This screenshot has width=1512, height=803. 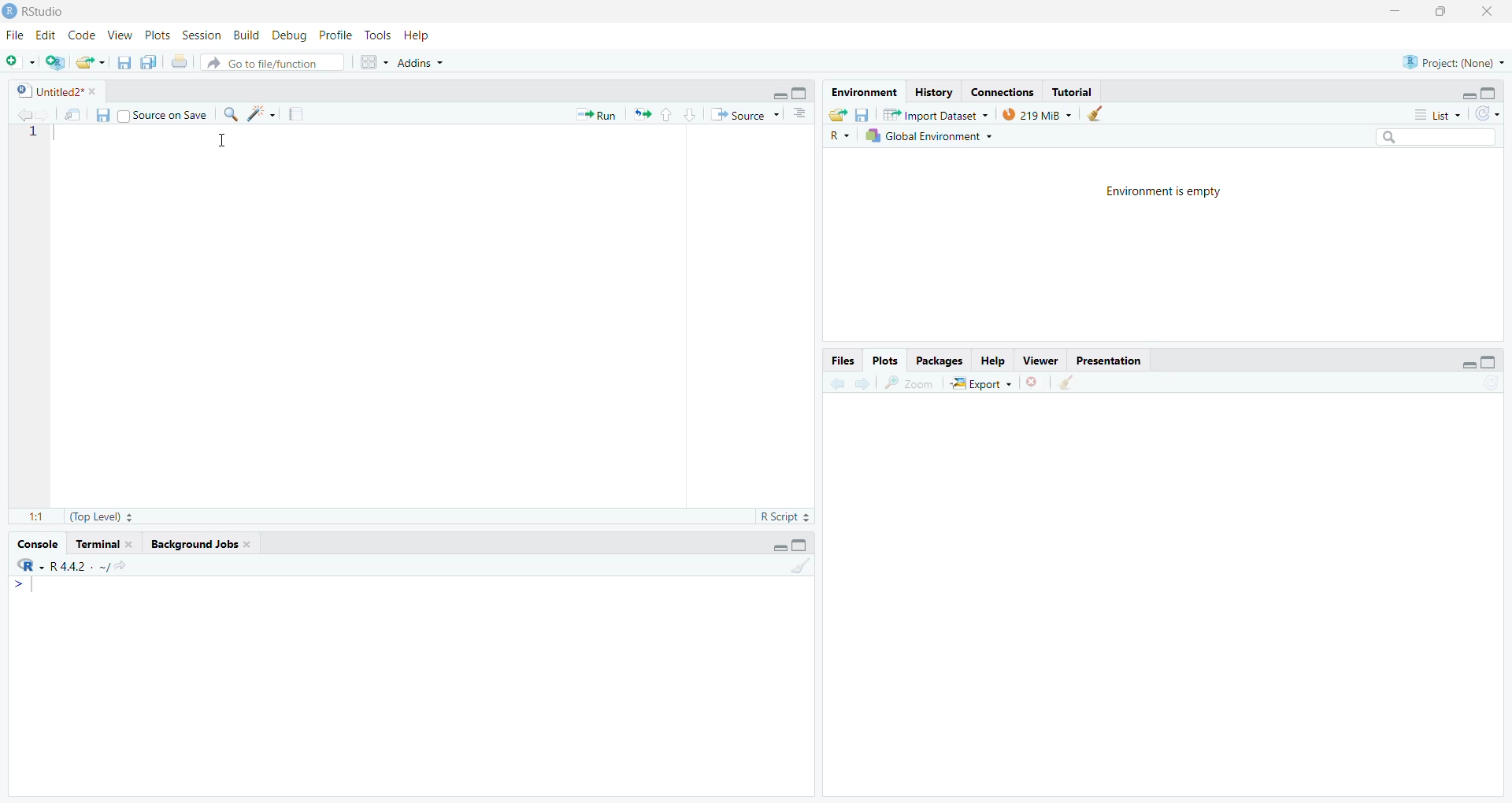 I want to click on 219MiB, so click(x=1037, y=113).